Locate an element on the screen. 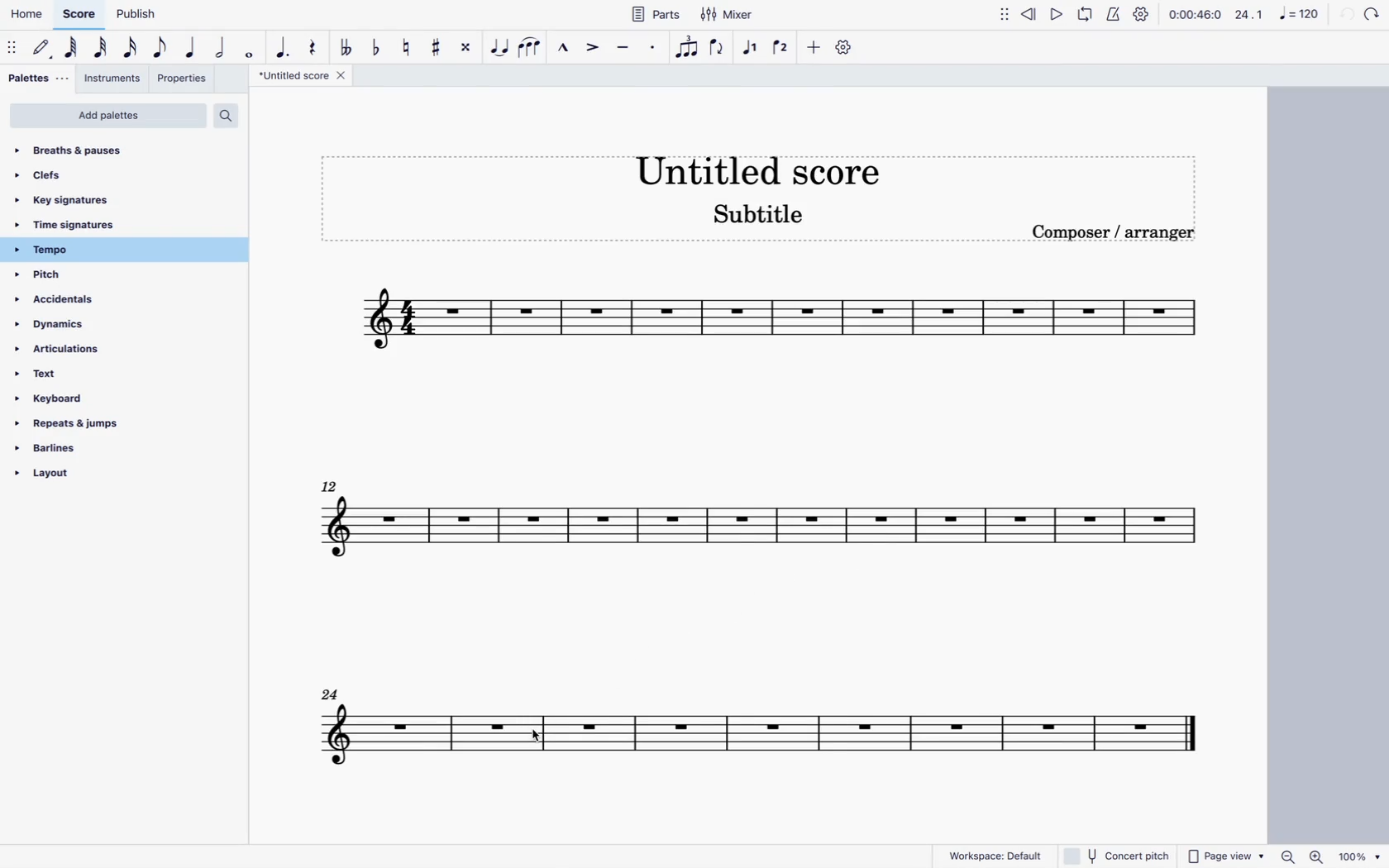 Image resolution: width=1389 pixels, height=868 pixels. parts is located at coordinates (655, 13).